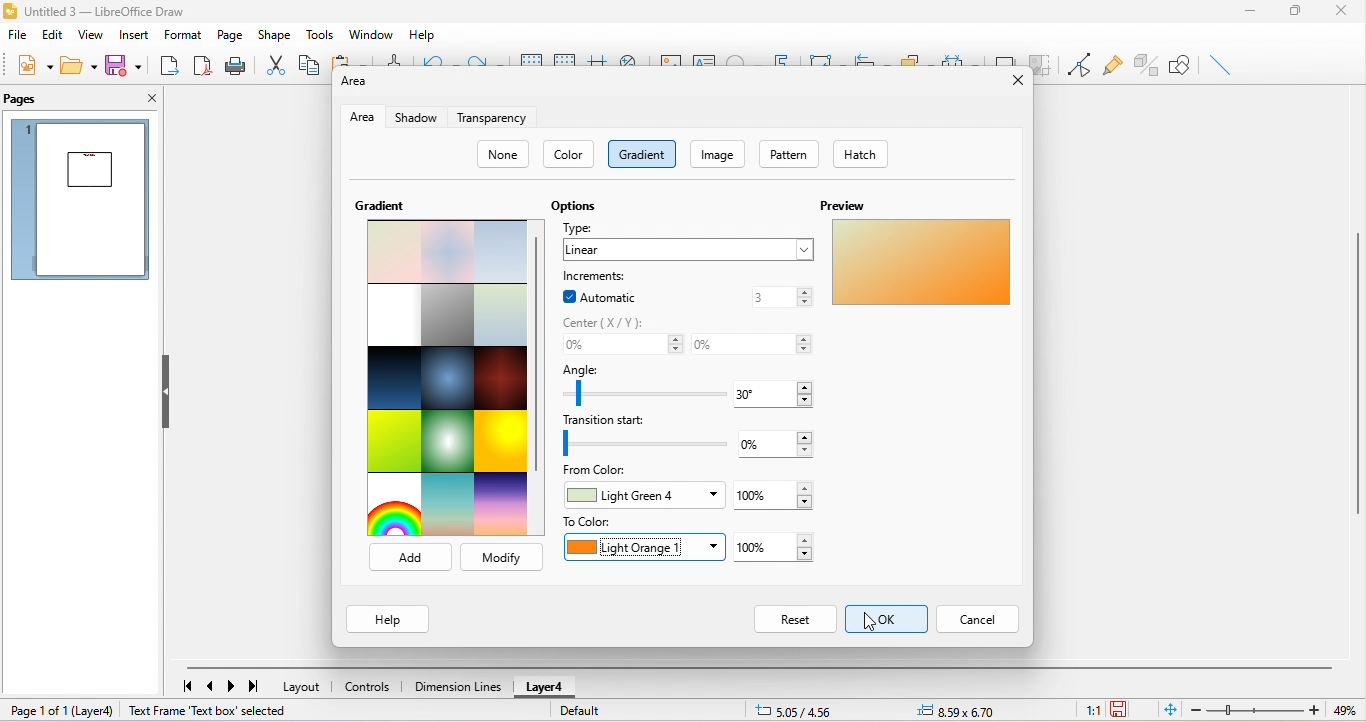 This screenshot has height=722, width=1366. Describe the element at coordinates (277, 66) in the screenshot. I see `cut` at that location.